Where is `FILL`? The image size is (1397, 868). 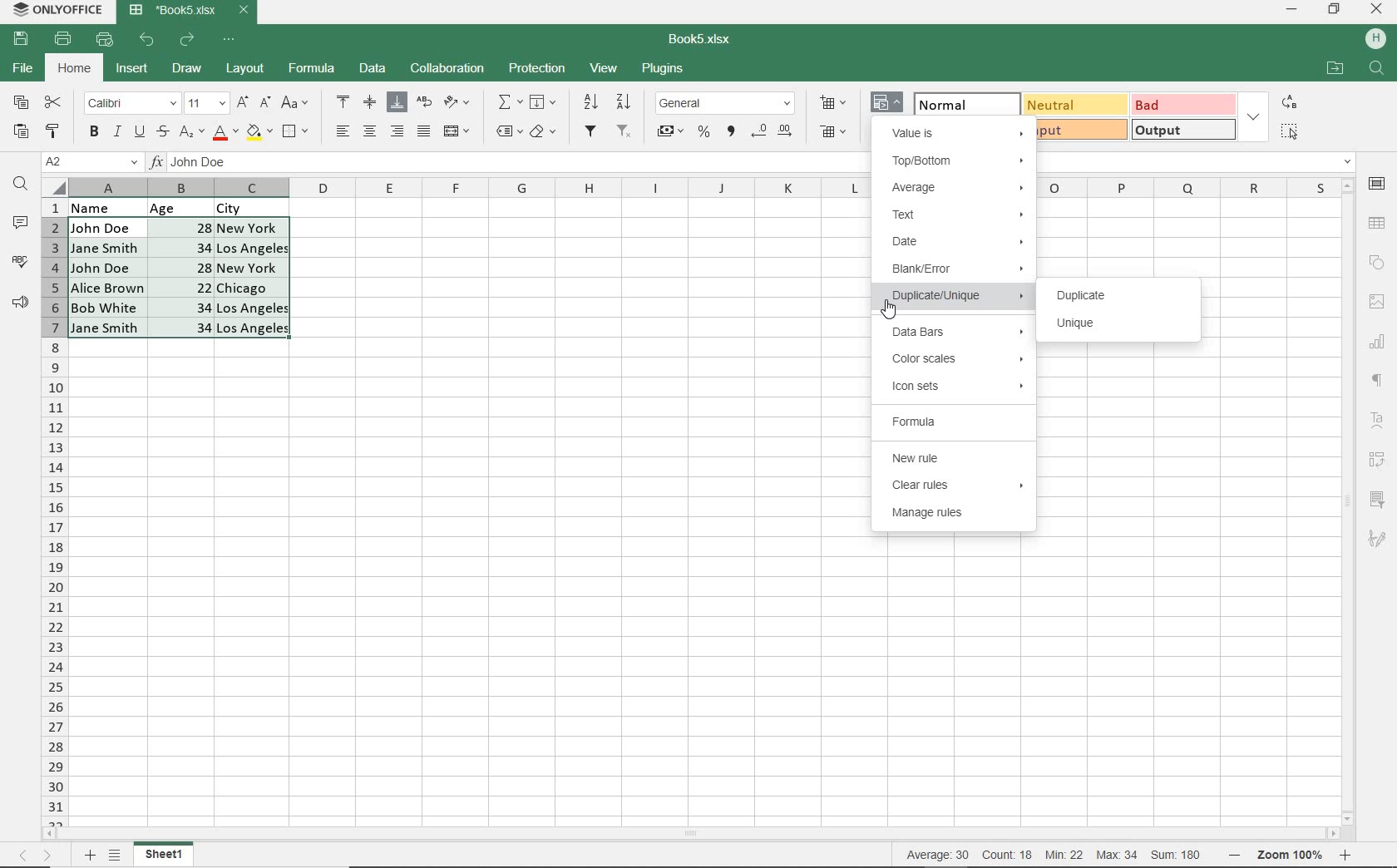
FILL is located at coordinates (547, 103).